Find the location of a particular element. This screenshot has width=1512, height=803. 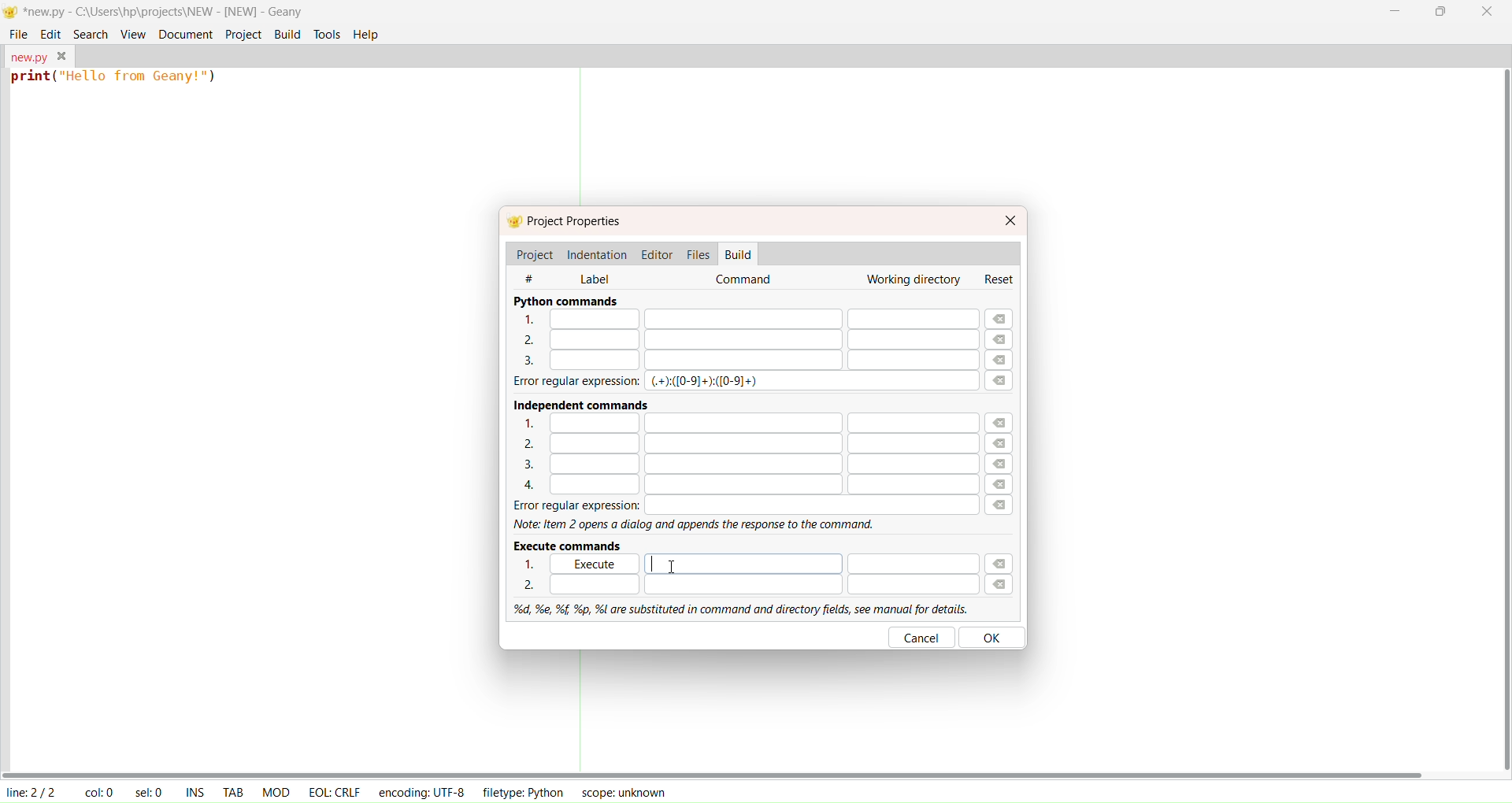

title is located at coordinates (164, 11).